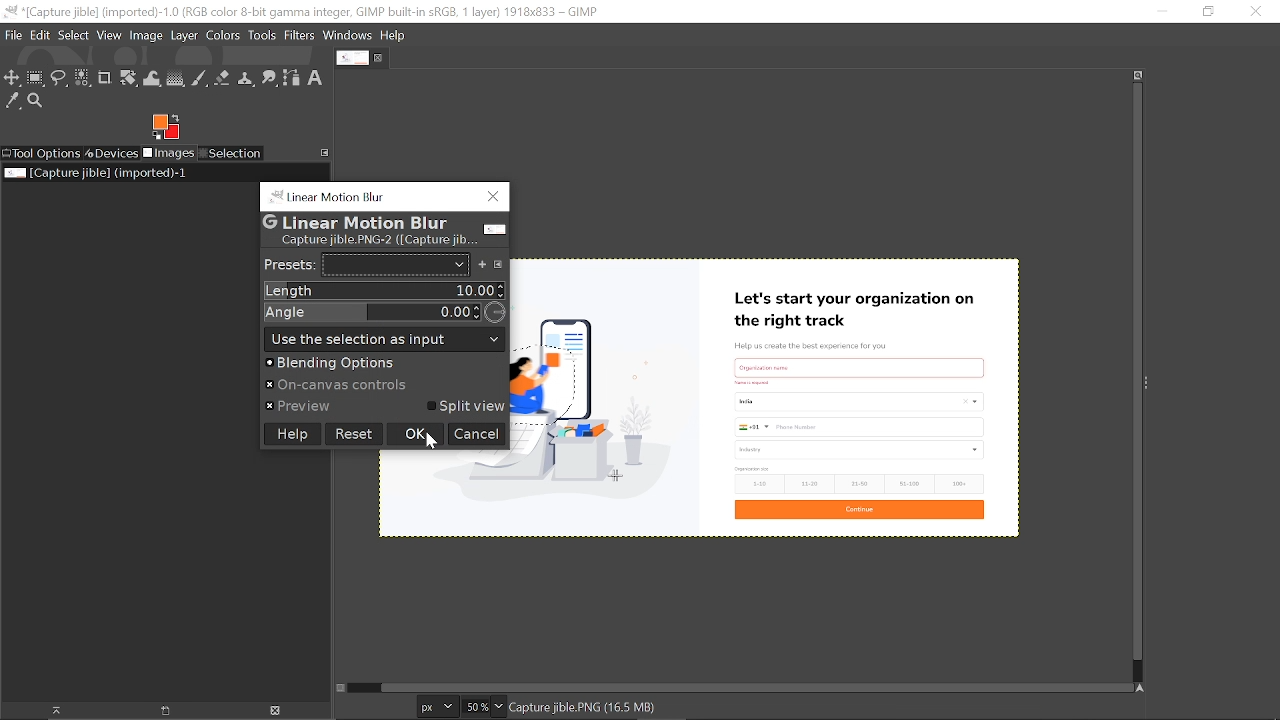 The image size is (1280, 720). Describe the element at coordinates (469, 407) in the screenshot. I see `Split view` at that location.